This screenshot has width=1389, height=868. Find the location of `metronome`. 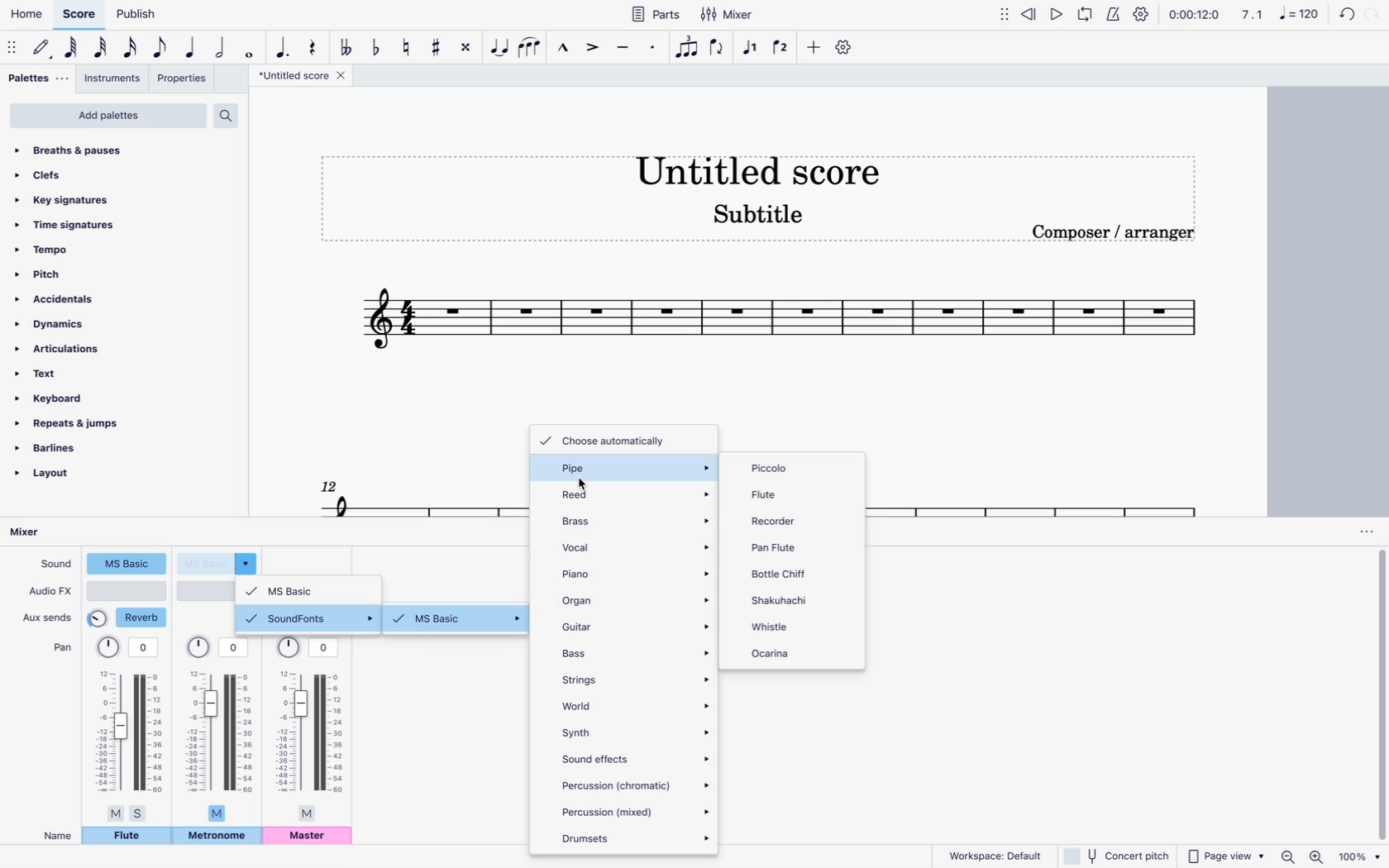

metronome is located at coordinates (217, 837).